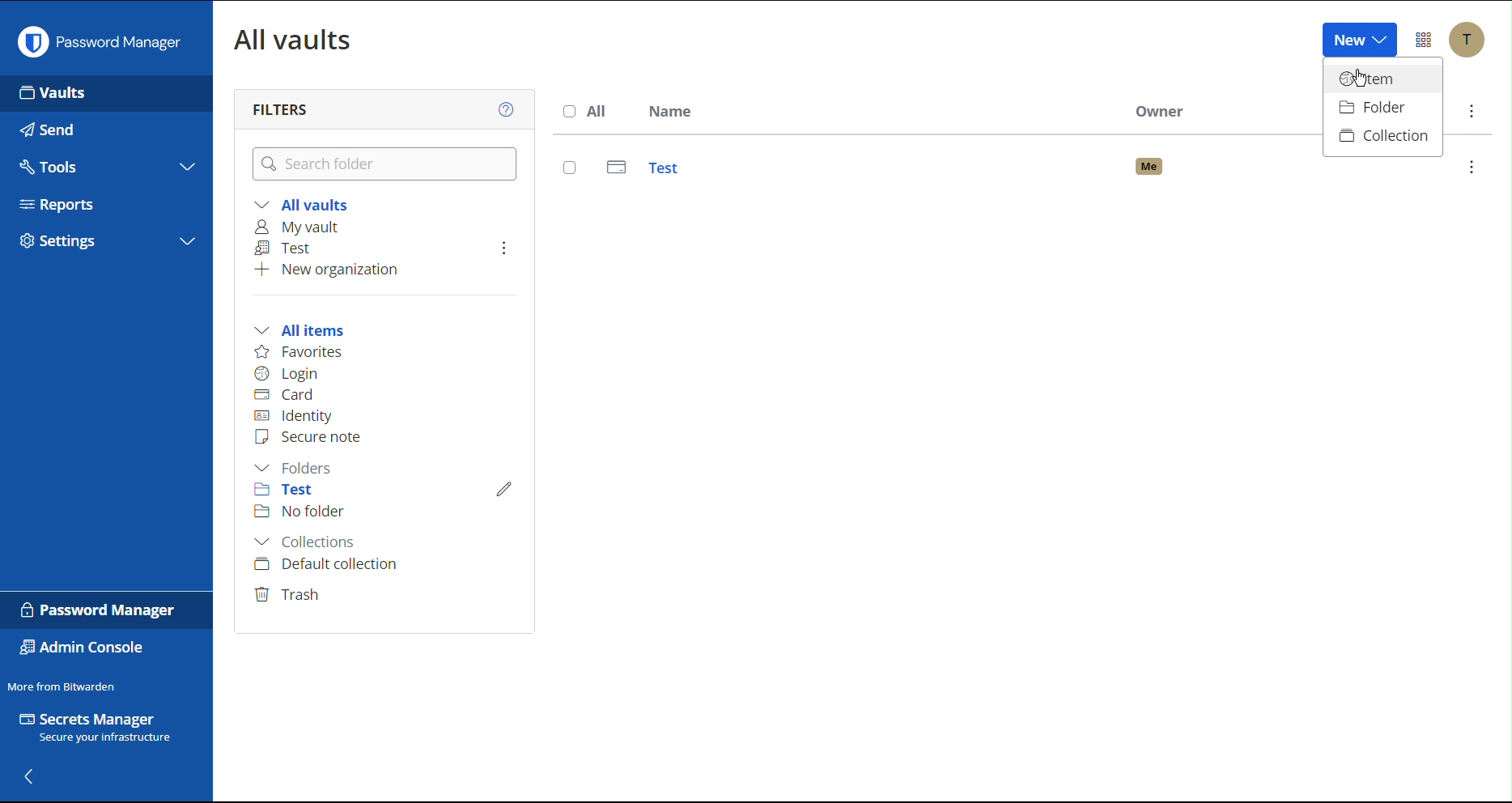 The width and height of the screenshot is (1512, 803). What do you see at coordinates (1424, 40) in the screenshot?
I see `More Options` at bounding box center [1424, 40].